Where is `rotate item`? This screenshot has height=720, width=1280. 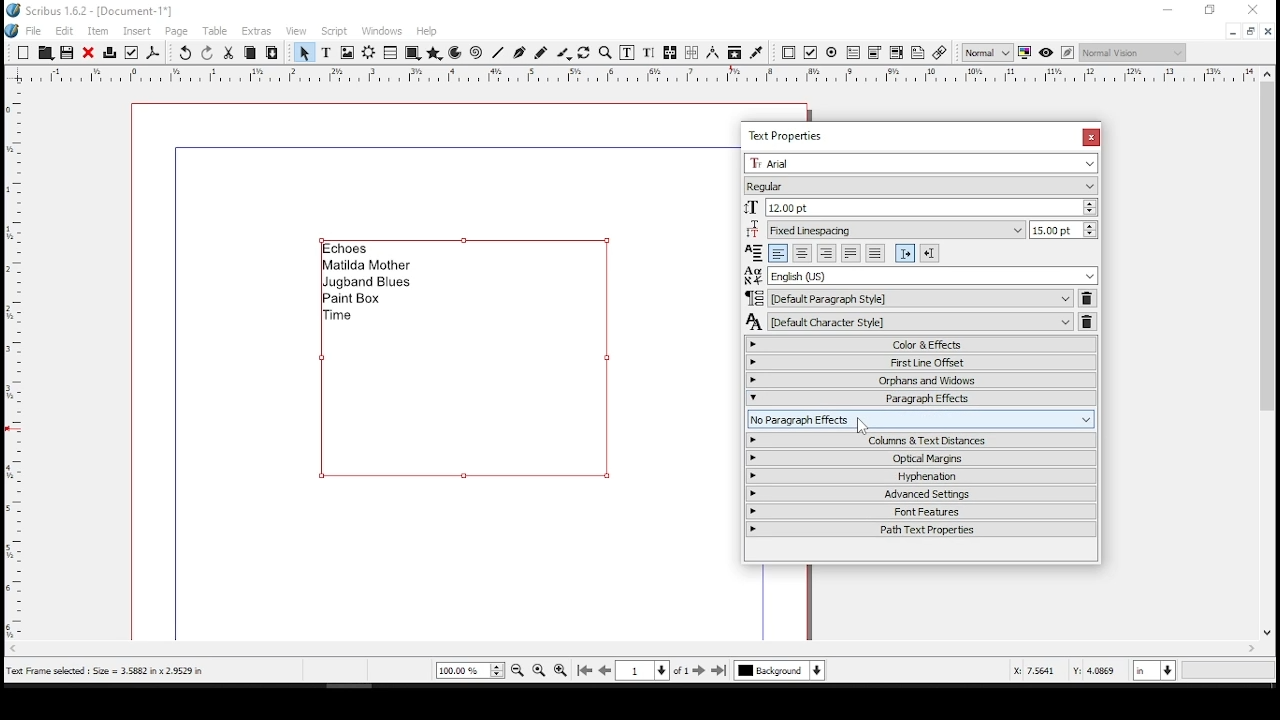 rotate item is located at coordinates (585, 52).